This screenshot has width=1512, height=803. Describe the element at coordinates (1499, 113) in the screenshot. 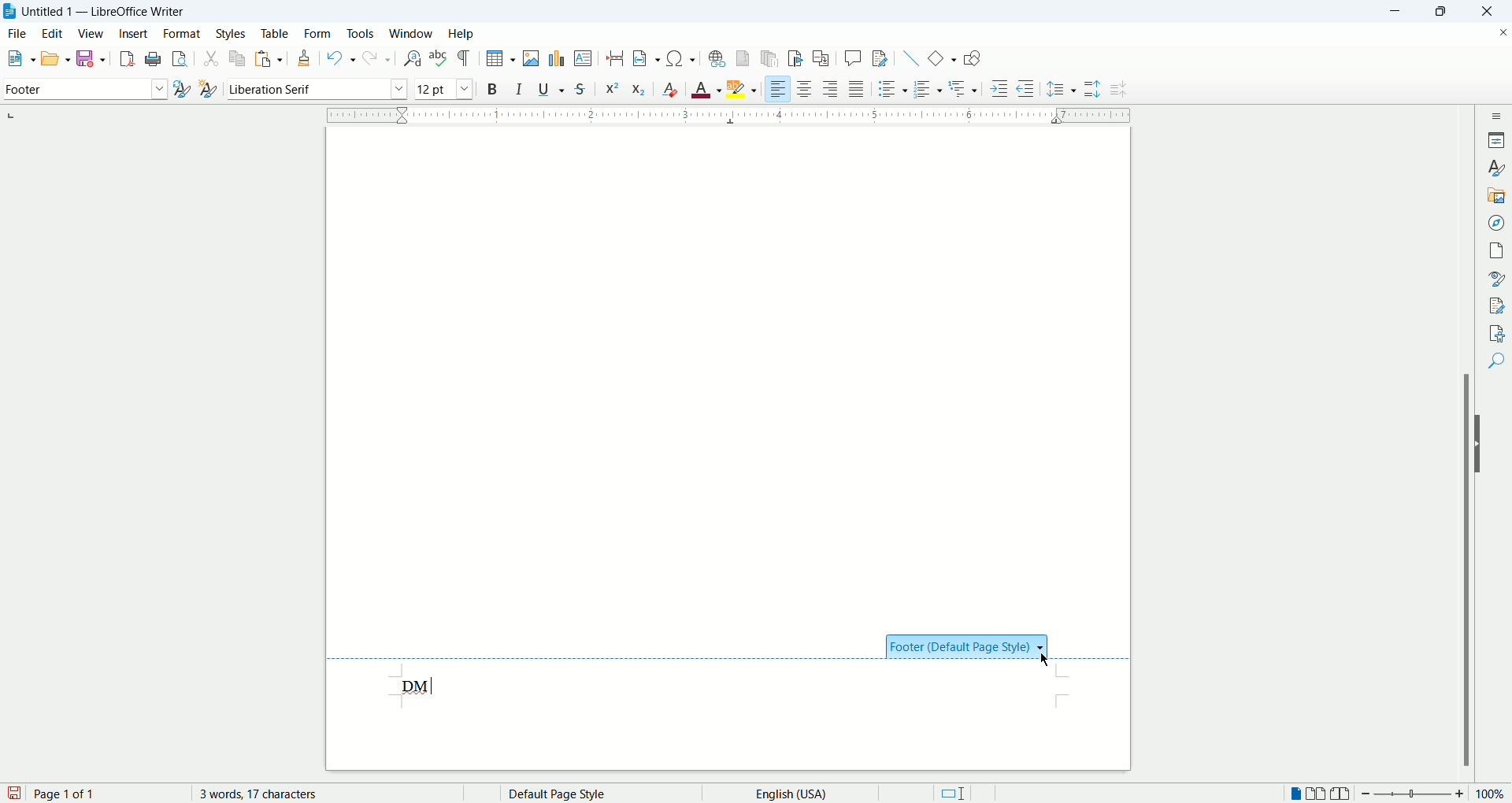

I see `sidebar settings` at that location.